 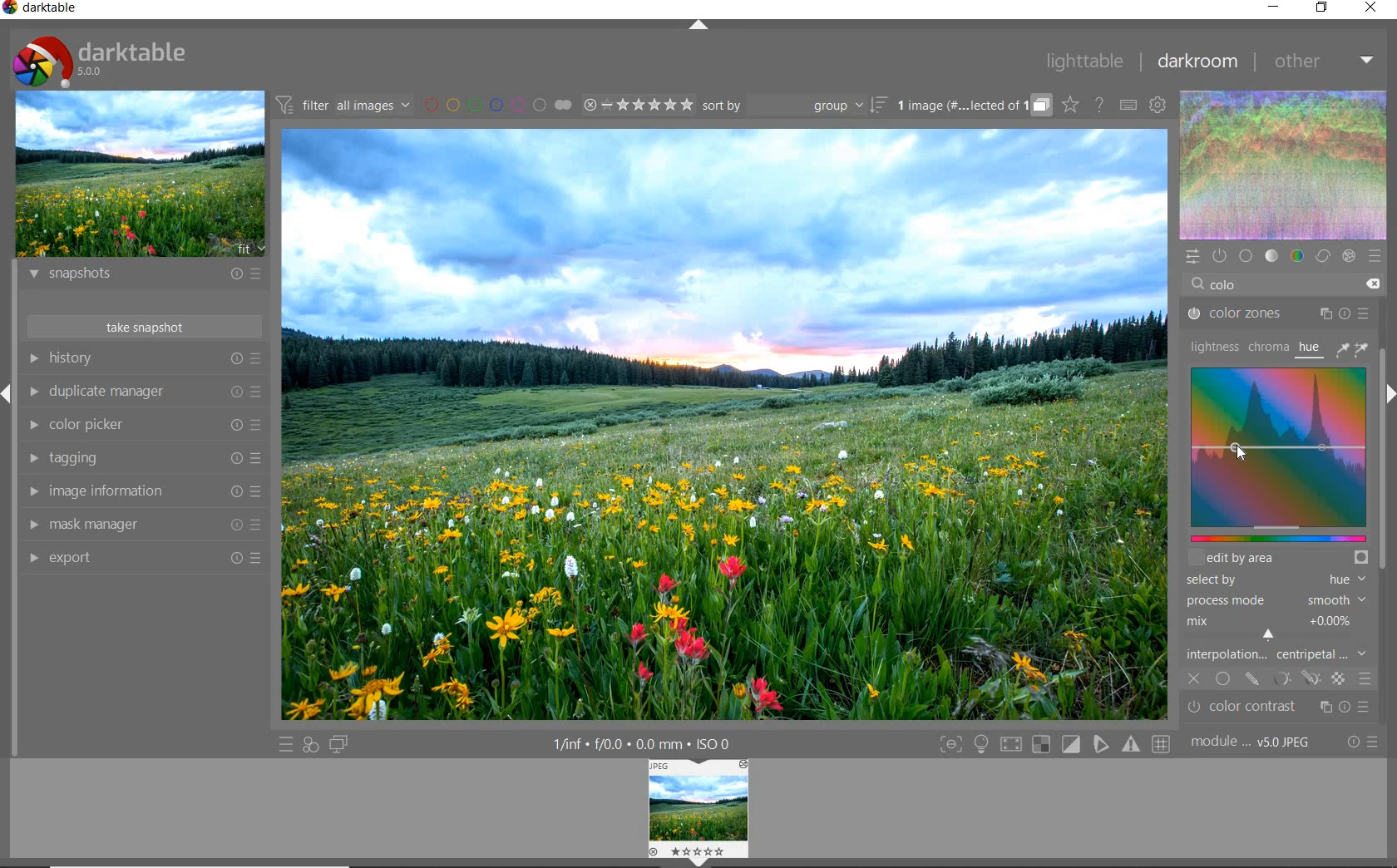 What do you see at coordinates (1272, 254) in the screenshot?
I see `tone` at bounding box center [1272, 254].